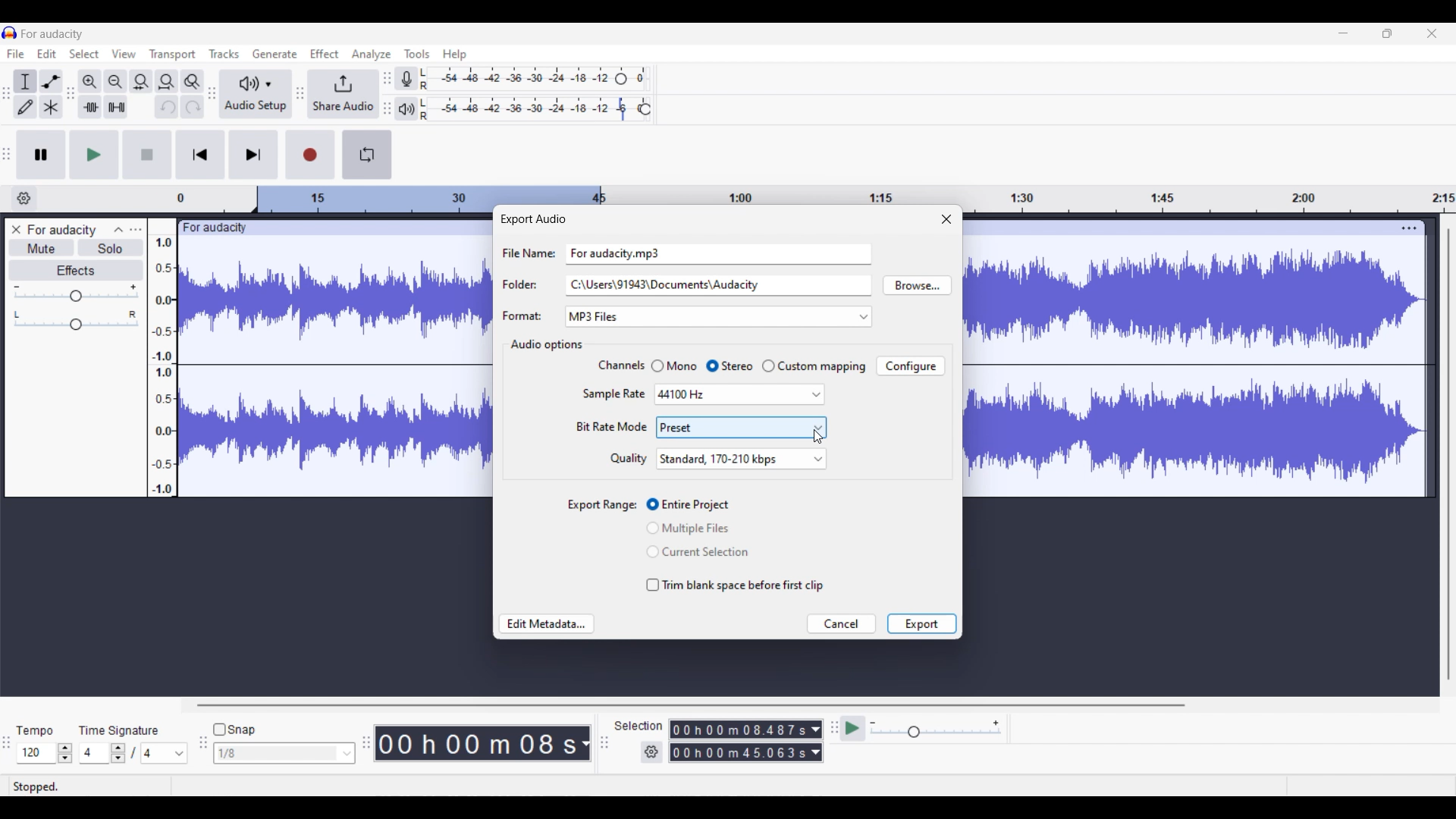 This screenshot has width=1456, height=819. I want to click on Analyze menu, so click(372, 55).